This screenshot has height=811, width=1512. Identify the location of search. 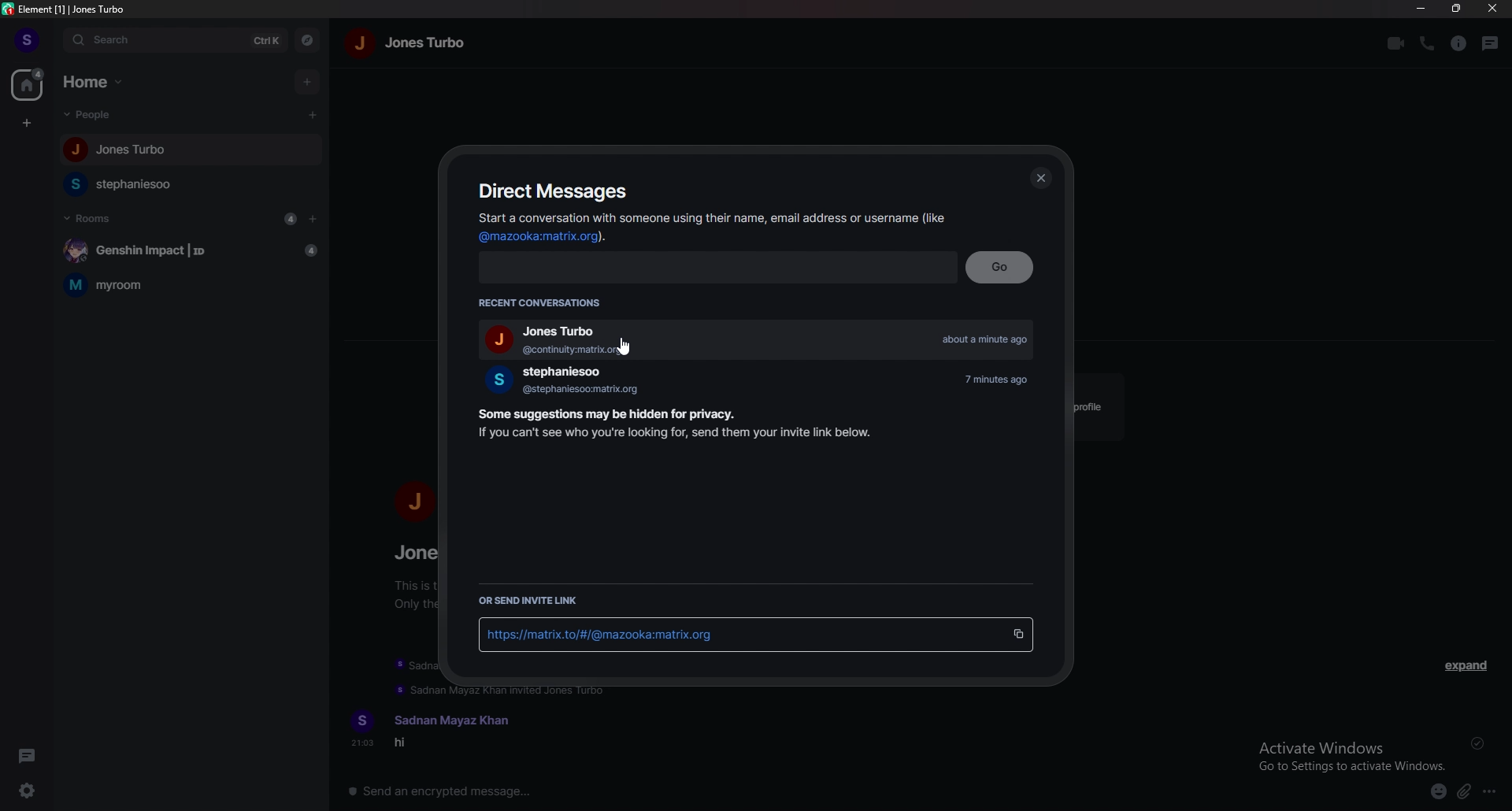
(150, 40).